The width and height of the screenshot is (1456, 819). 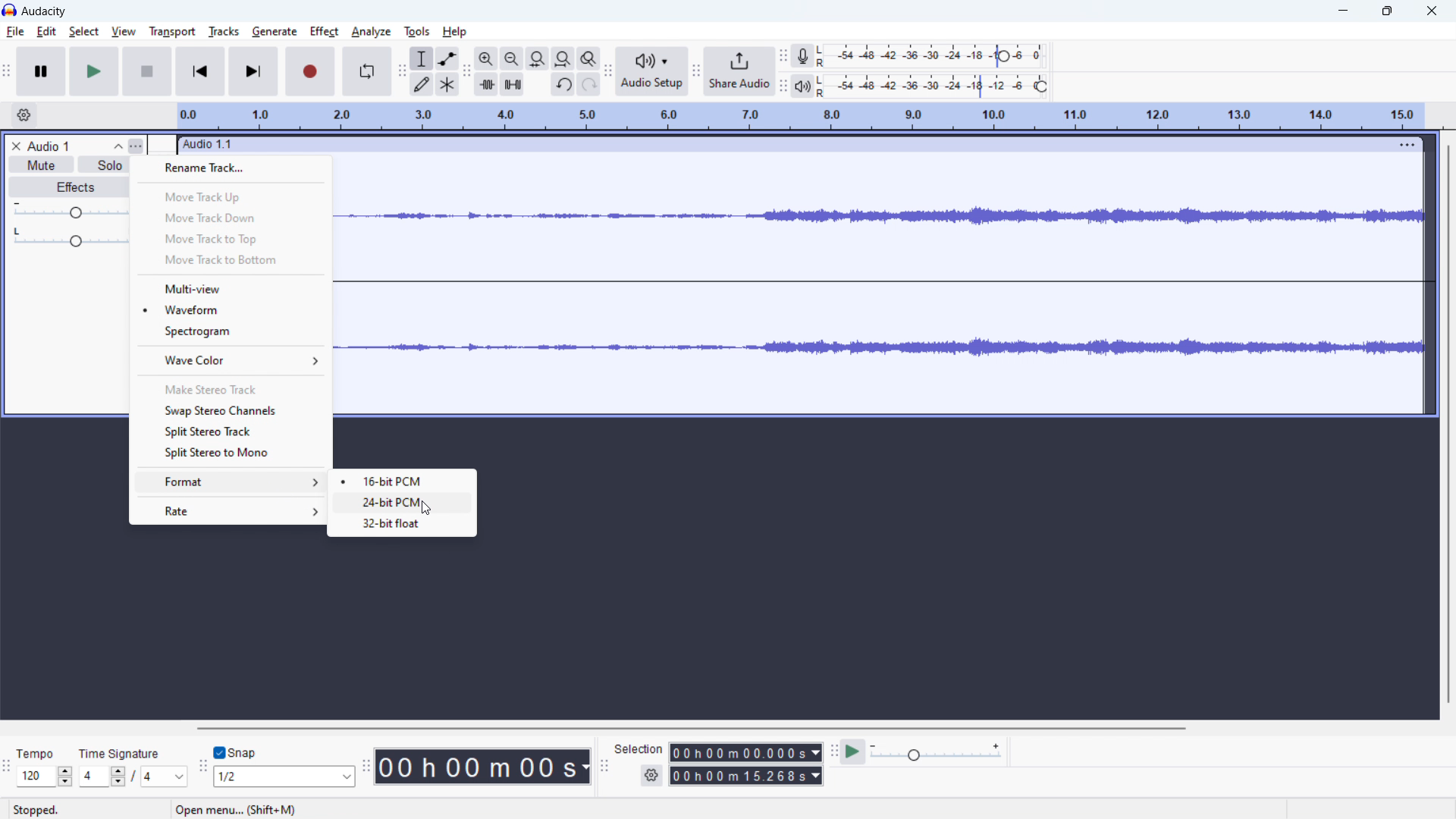 What do you see at coordinates (653, 72) in the screenshot?
I see `audio setup` at bounding box center [653, 72].